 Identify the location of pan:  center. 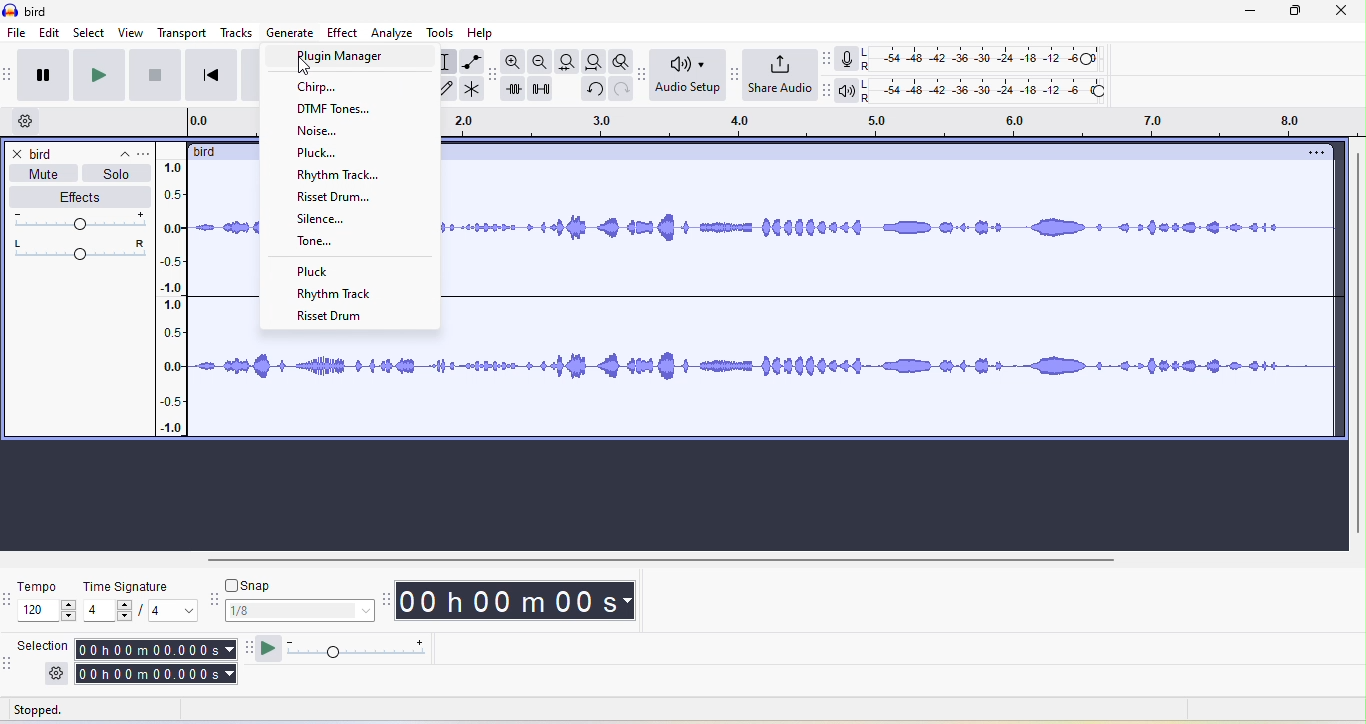
(78, 250).